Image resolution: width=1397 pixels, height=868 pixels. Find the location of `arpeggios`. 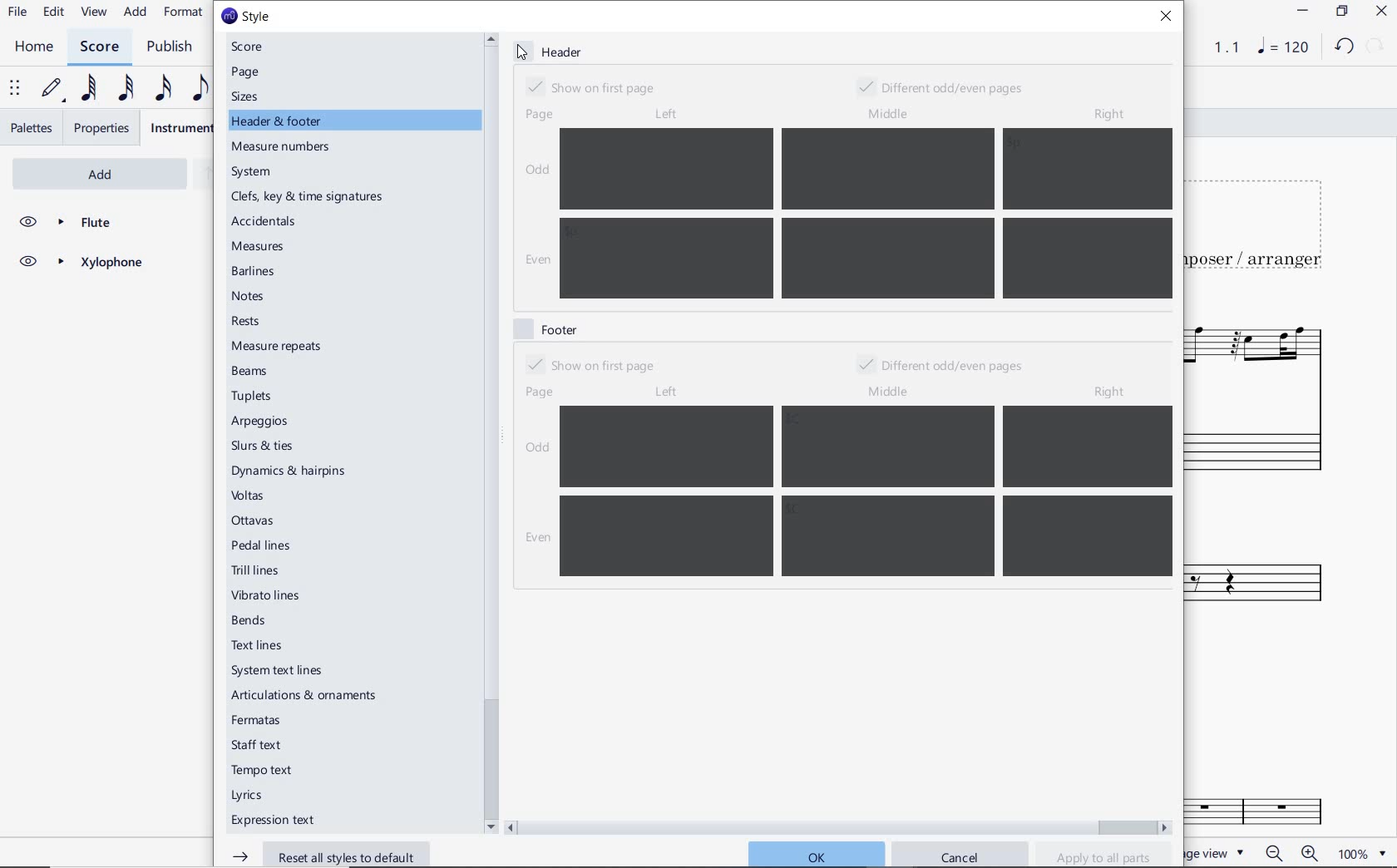

arpeggios is located at coordinates (260, 422).